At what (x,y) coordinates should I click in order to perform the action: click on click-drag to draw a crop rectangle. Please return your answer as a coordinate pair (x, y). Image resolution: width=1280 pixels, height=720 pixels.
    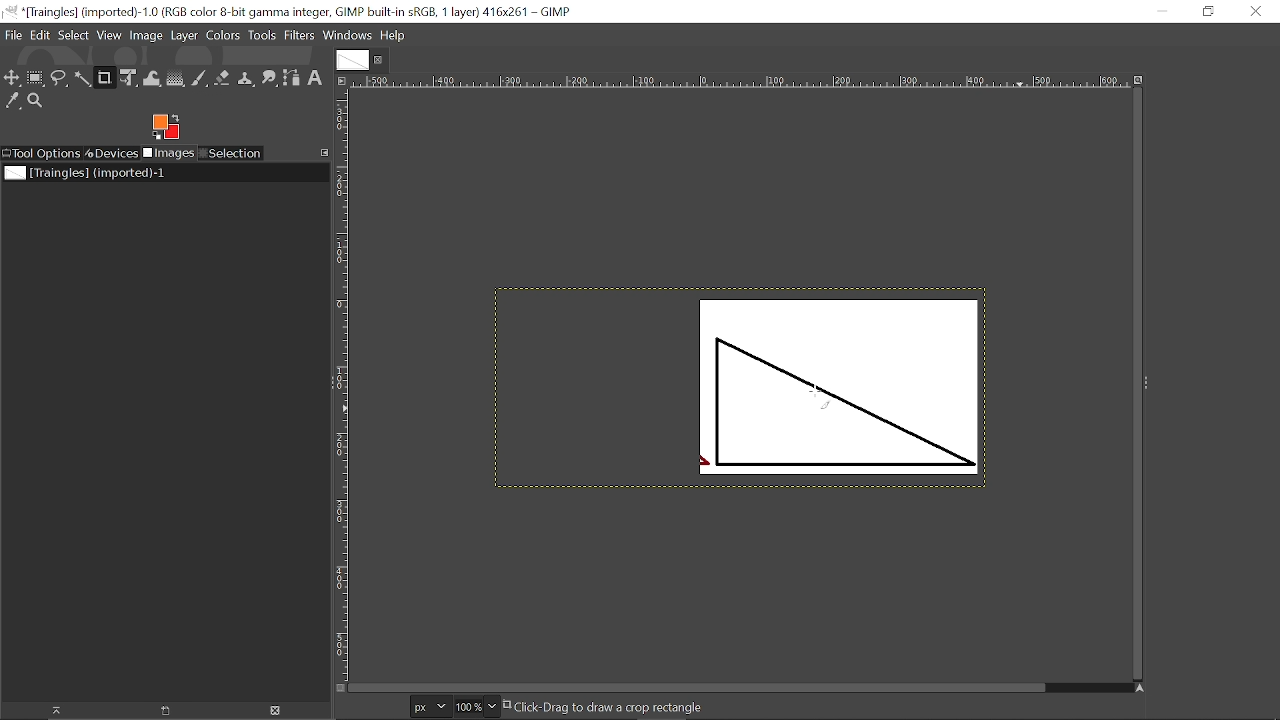
    Looking at the image, I should click on (607, 707).